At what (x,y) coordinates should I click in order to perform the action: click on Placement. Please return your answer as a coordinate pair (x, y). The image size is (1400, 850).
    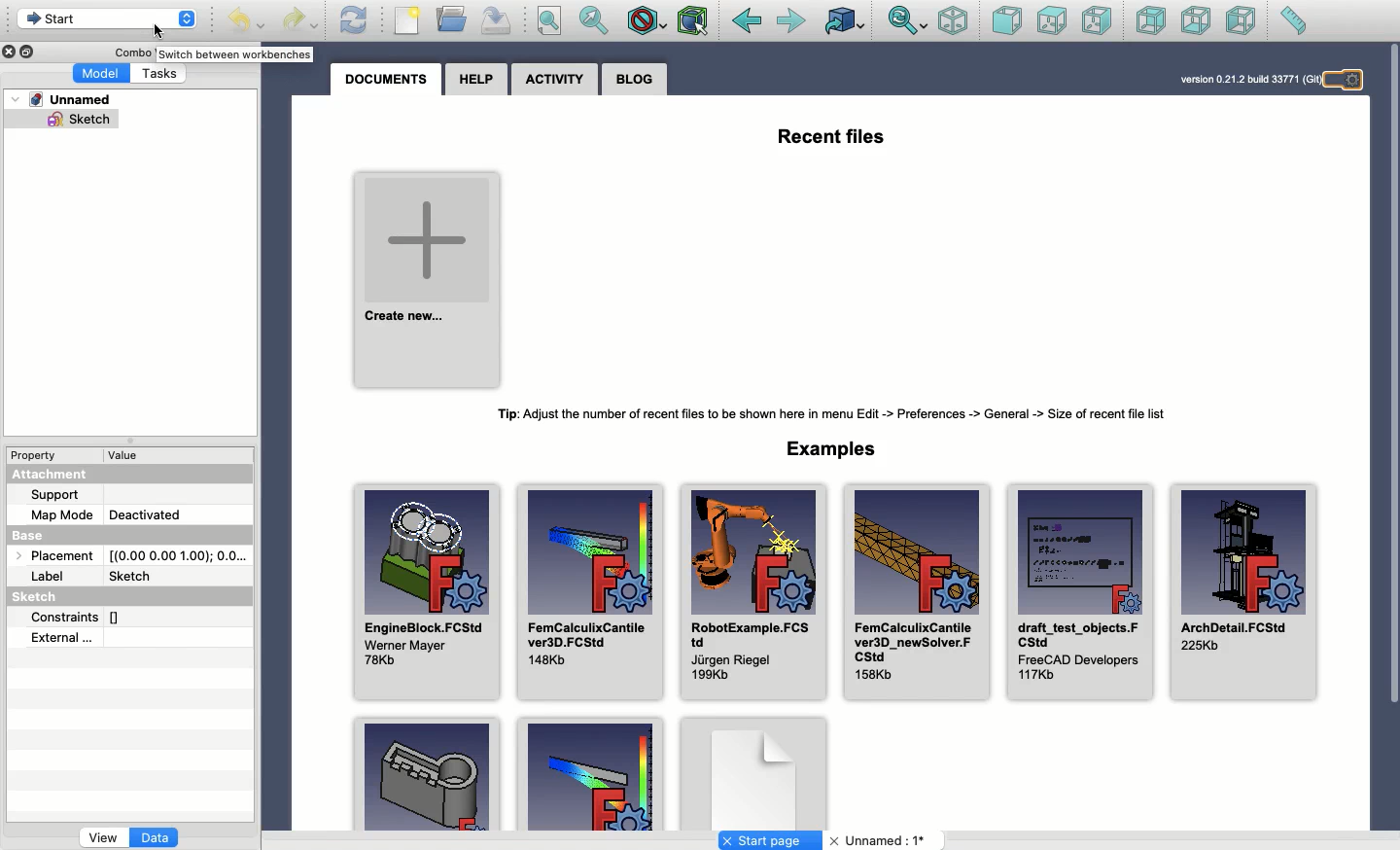
    Looking at the image, I should click on (61, 557).